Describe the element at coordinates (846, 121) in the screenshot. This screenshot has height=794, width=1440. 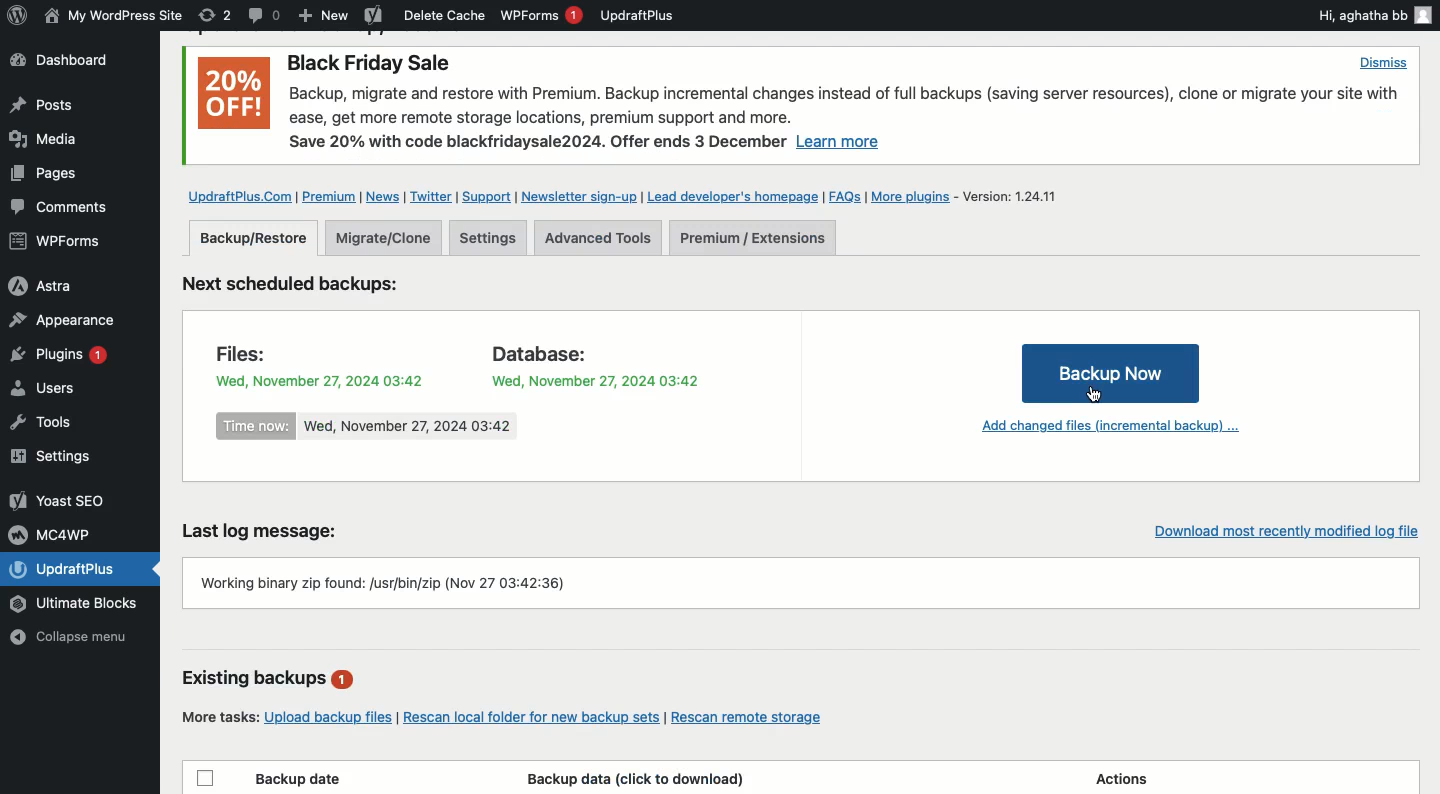
I see `Backup, migrate and restore with Premium. Backup incremental changes instead of full backups (saving server resources), clone or migrate your site withease, get more remote storage locations, premium support and more. Save 20% with code blackfridaysale2024. Offer ends 3 December Learn more` at that location.